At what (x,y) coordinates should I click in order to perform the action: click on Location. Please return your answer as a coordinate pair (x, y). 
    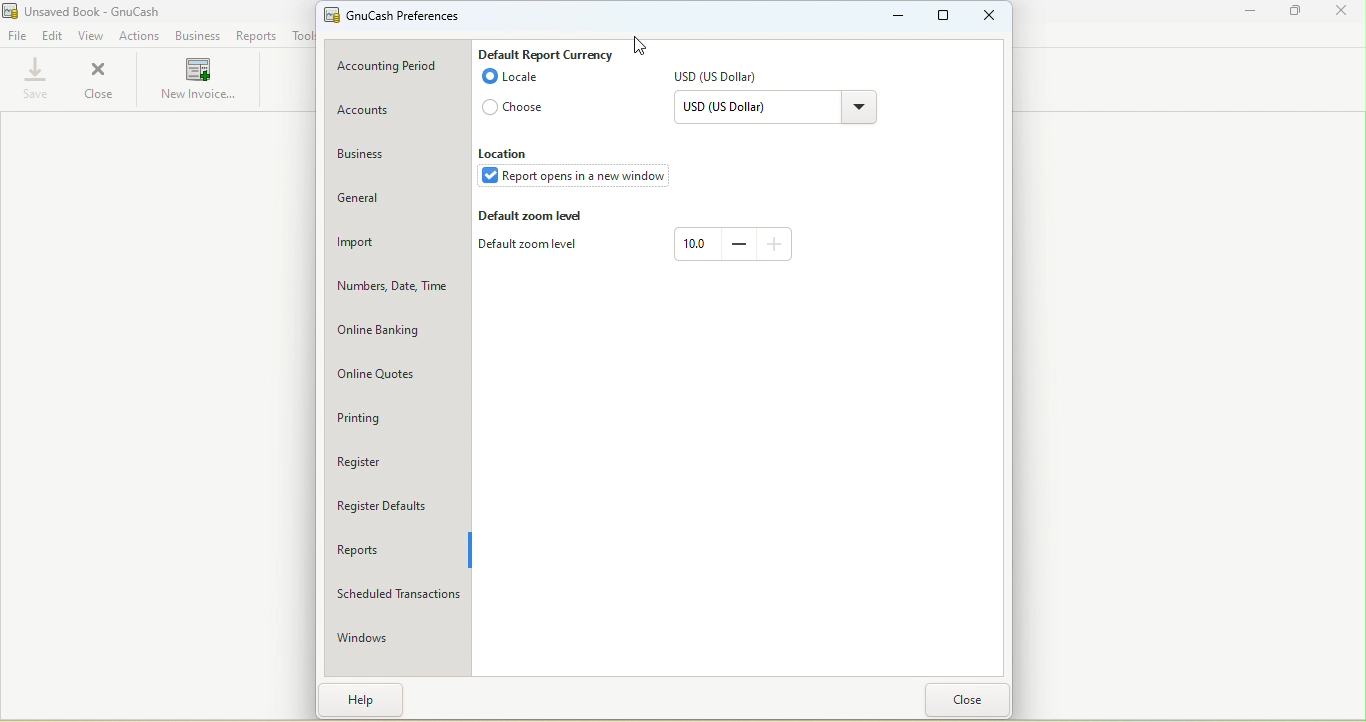
    Looking at the image, I should click on (507, 153).